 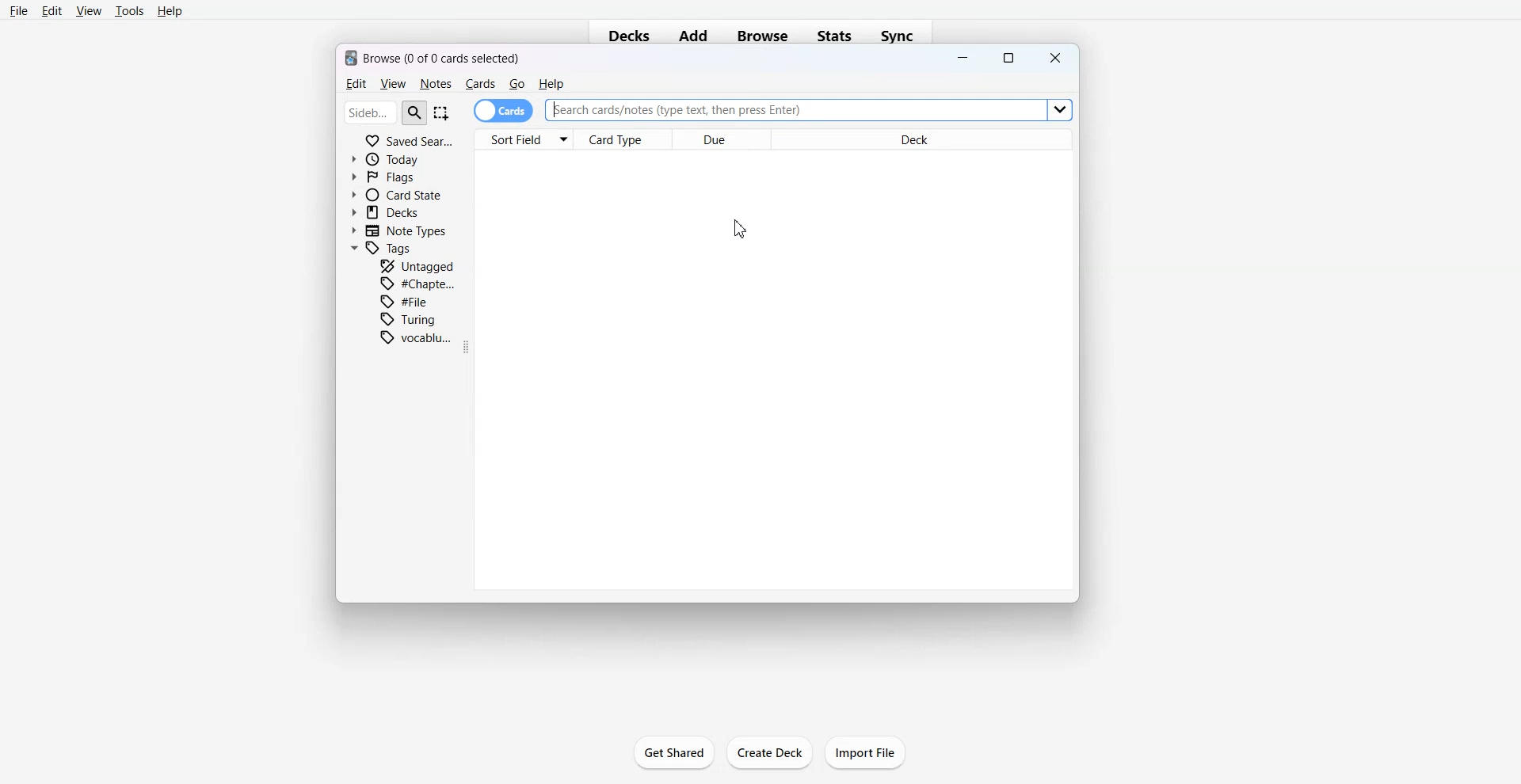 What do you see at coordinates (837, 36) in the screenshot?
I see `Stats` at bounding box center [837, 36].